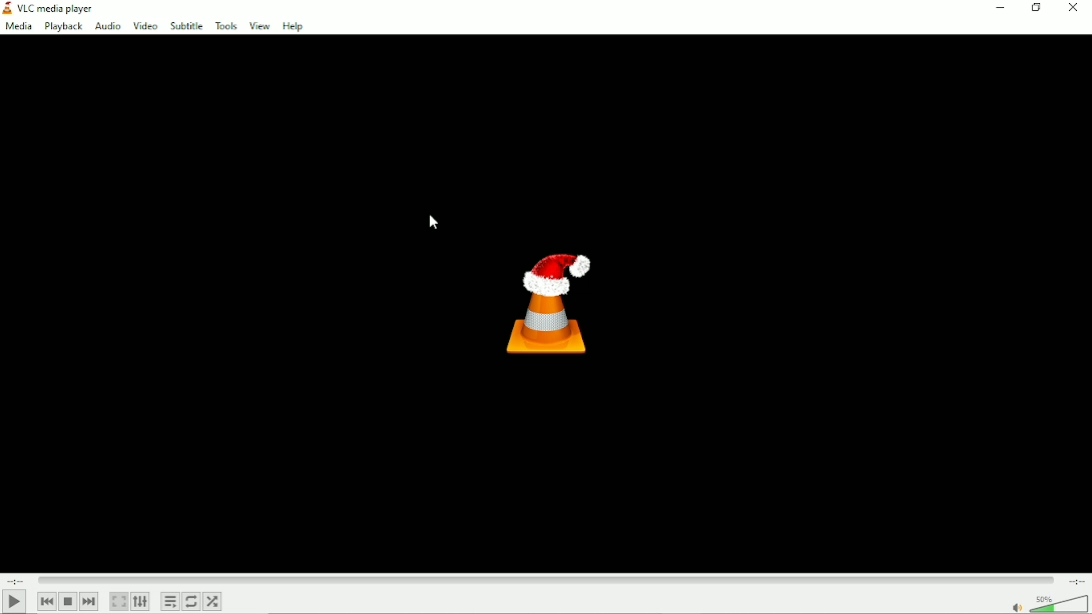  I want to click on Volume, so click(1047, 603).